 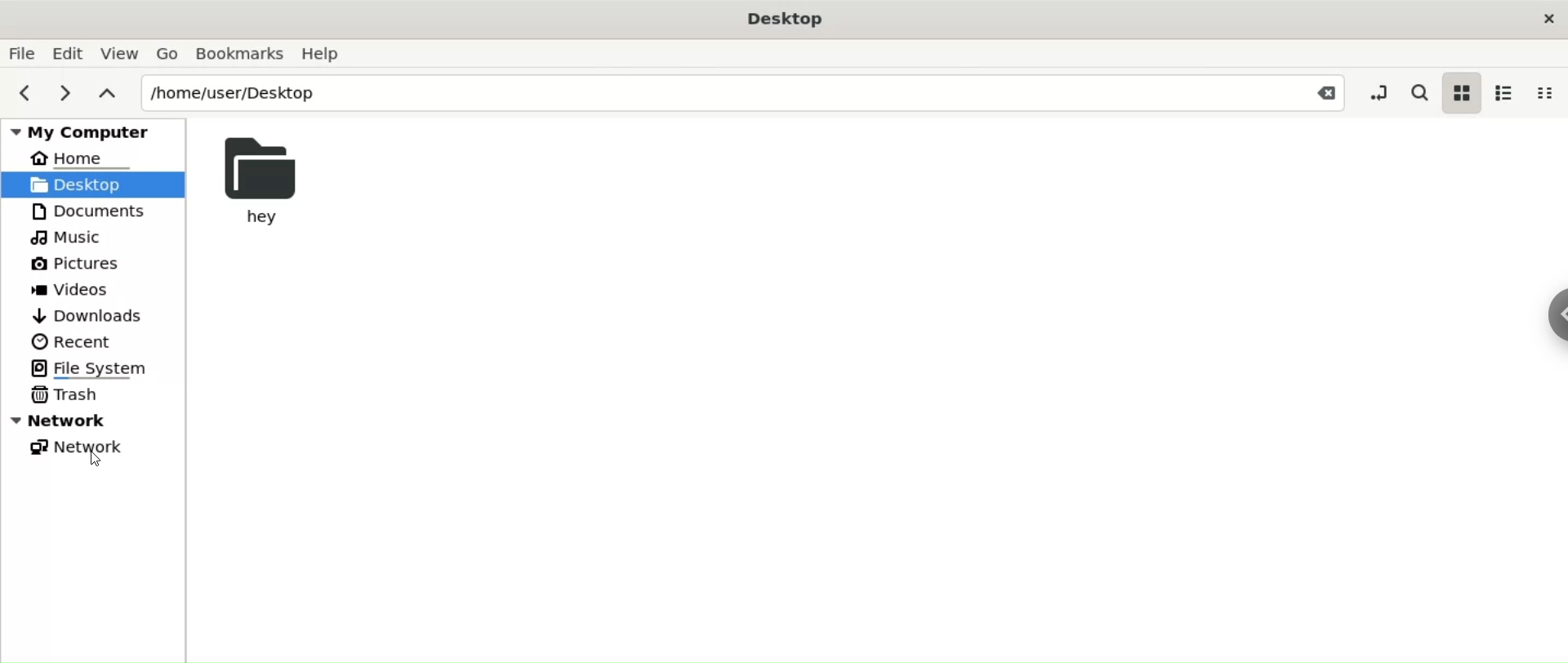 What do you see at coordinates (23, 93) in the screenshot?
I see `previous` at bounding box center [23, 93].